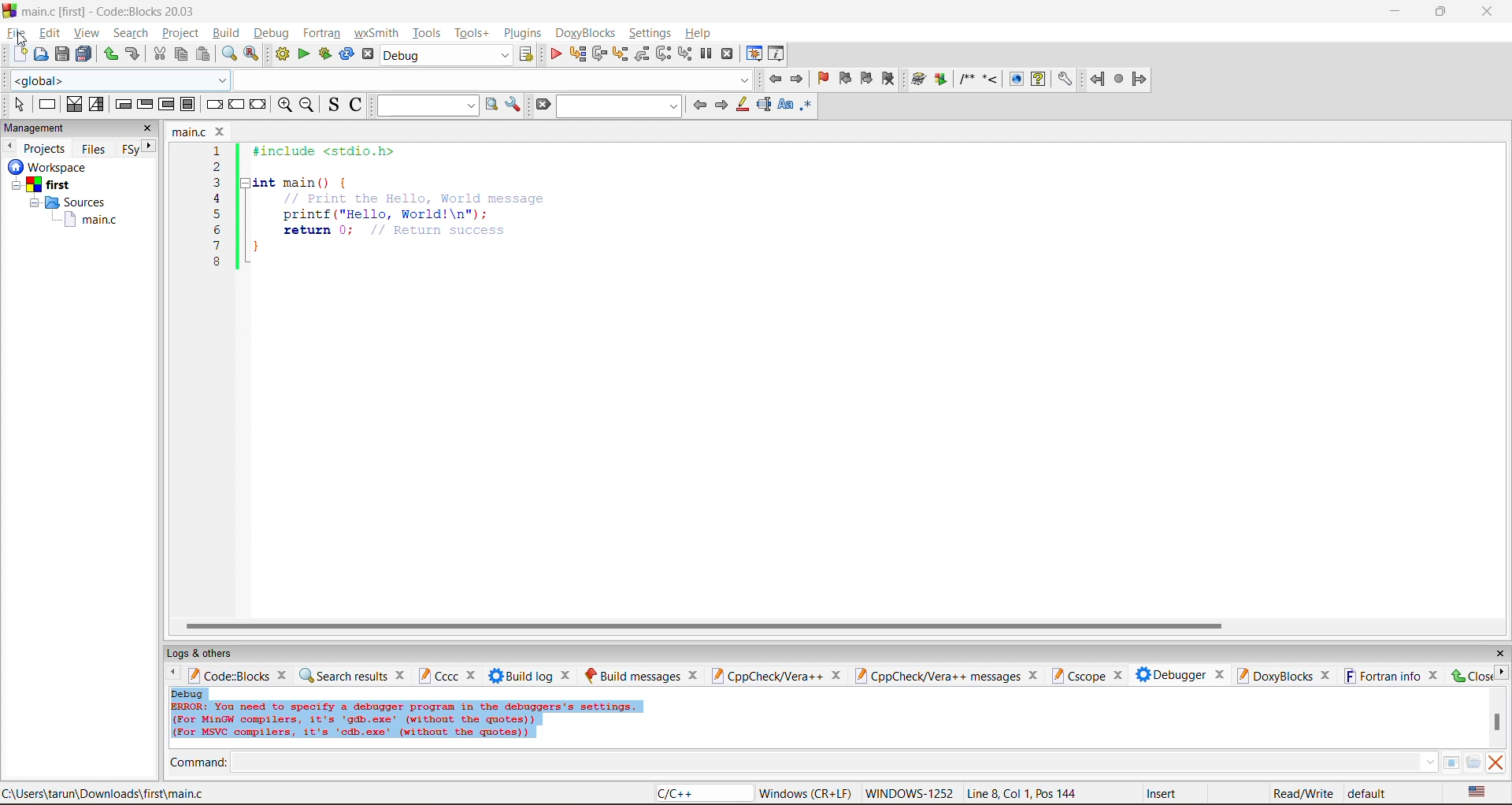  What do you see at coordinates (346, 54) in the screenshot?
I see `rebuild` at bounding box center [346, 54].